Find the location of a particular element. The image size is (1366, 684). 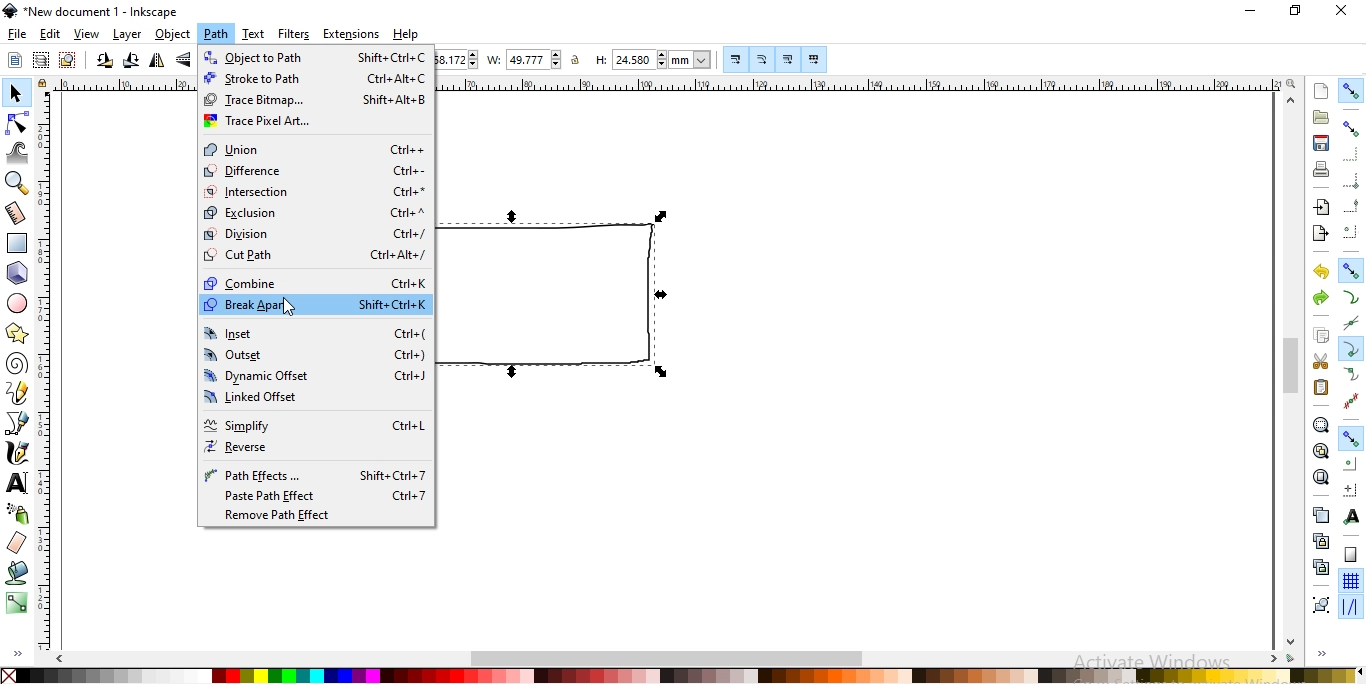

scrollbar is located at coordinates (1291, 367).